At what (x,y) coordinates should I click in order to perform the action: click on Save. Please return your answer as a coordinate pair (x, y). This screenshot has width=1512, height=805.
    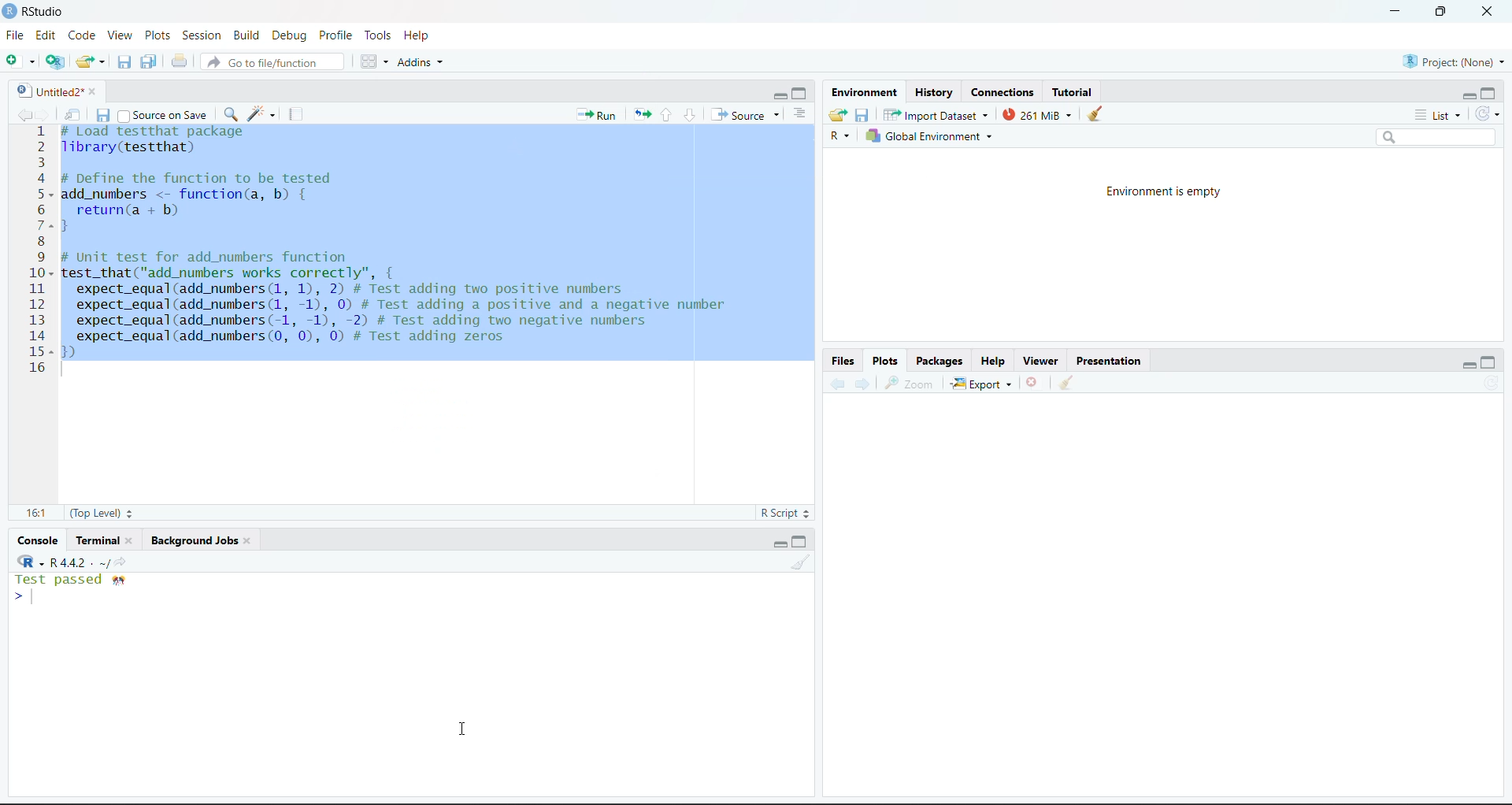
    Looking at the image, I should click on (863, 115).